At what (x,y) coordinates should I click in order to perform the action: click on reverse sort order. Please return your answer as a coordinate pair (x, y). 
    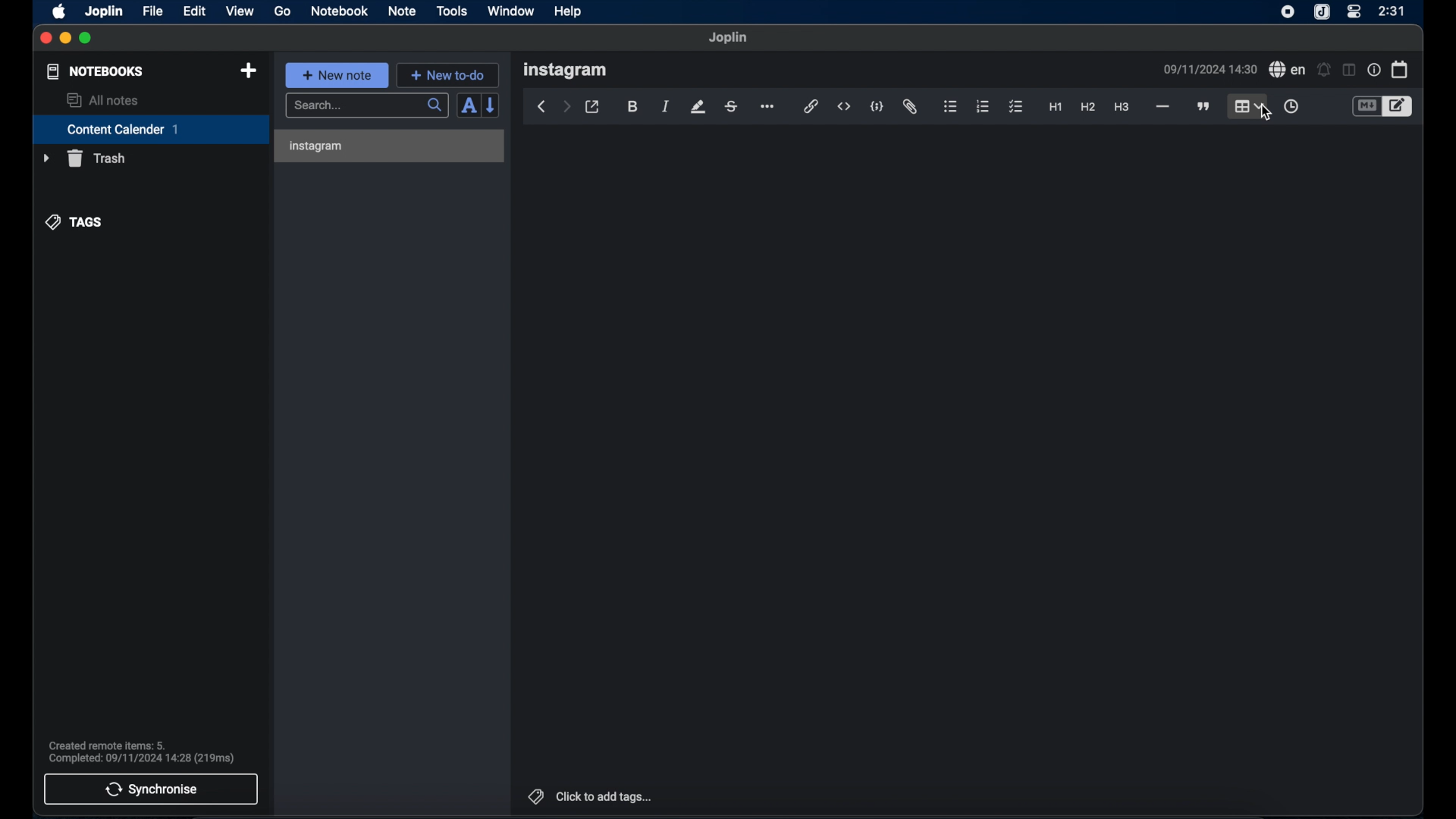
    Looking at the image, I should click on (491, 105).